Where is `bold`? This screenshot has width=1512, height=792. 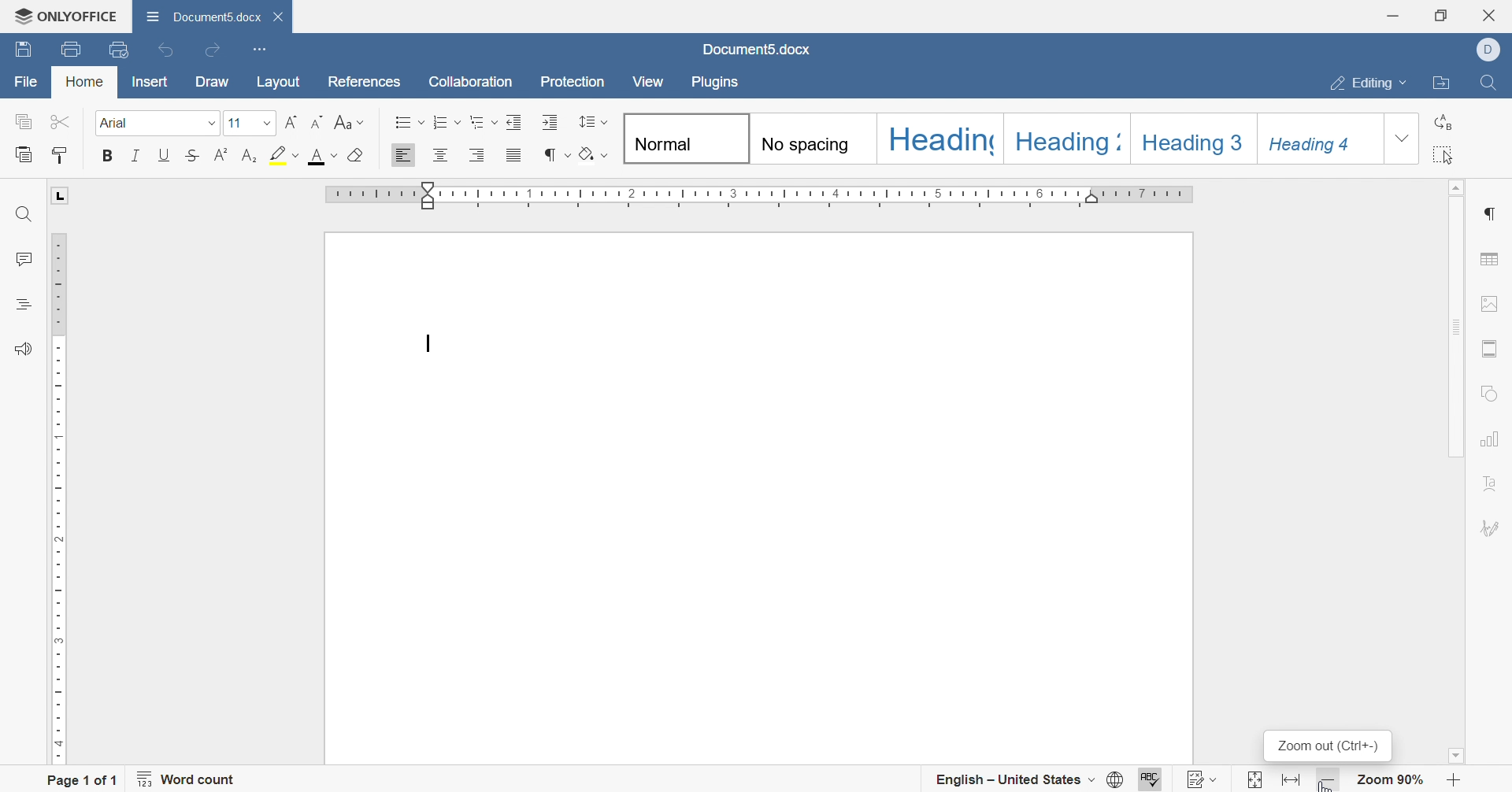
bold is located at coordinates (110, 157).